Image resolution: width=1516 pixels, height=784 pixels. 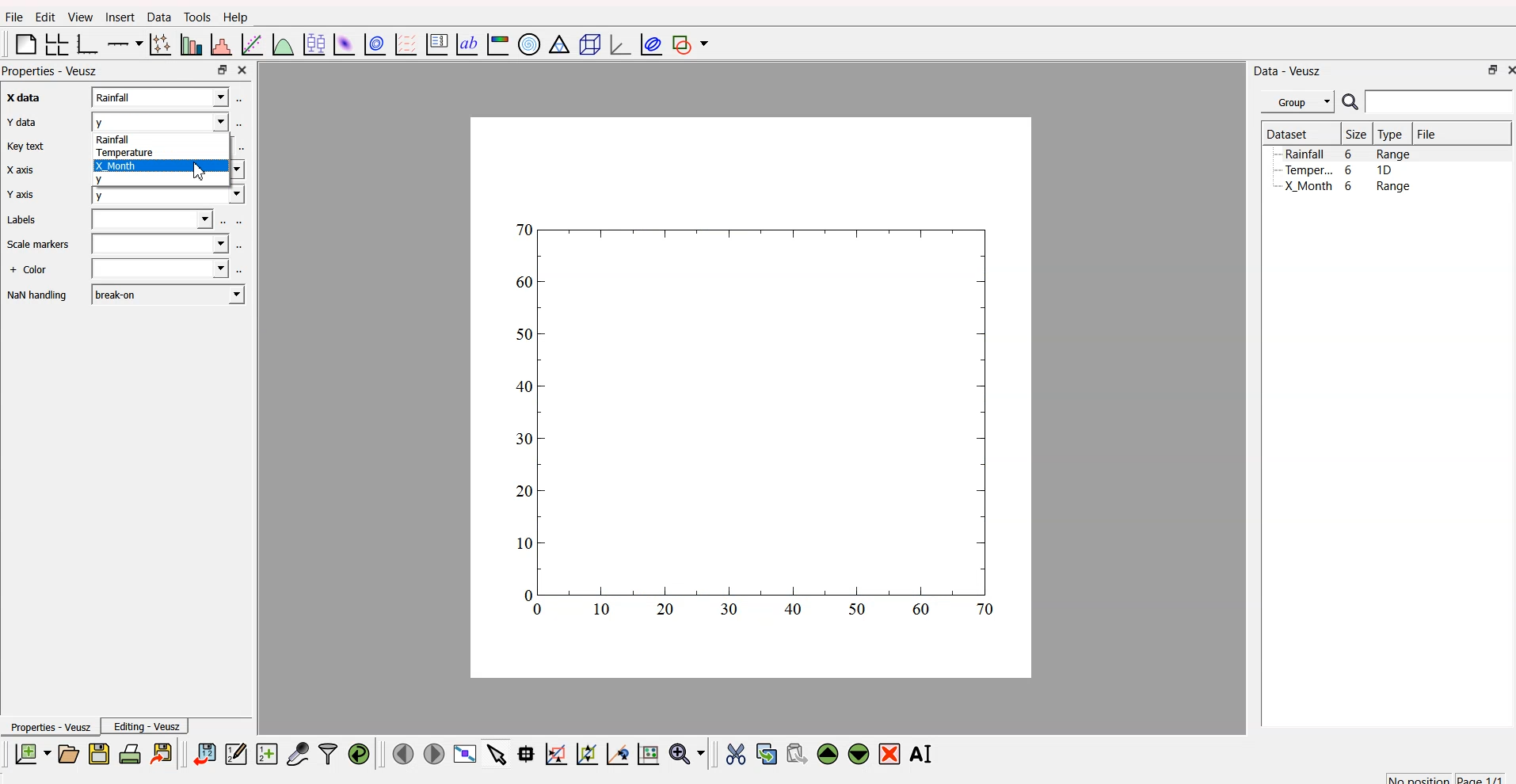 What do you see at coordinates (465, 754) in the screenshot?
I see `view plot full screen` at bounding box center [465, 754].